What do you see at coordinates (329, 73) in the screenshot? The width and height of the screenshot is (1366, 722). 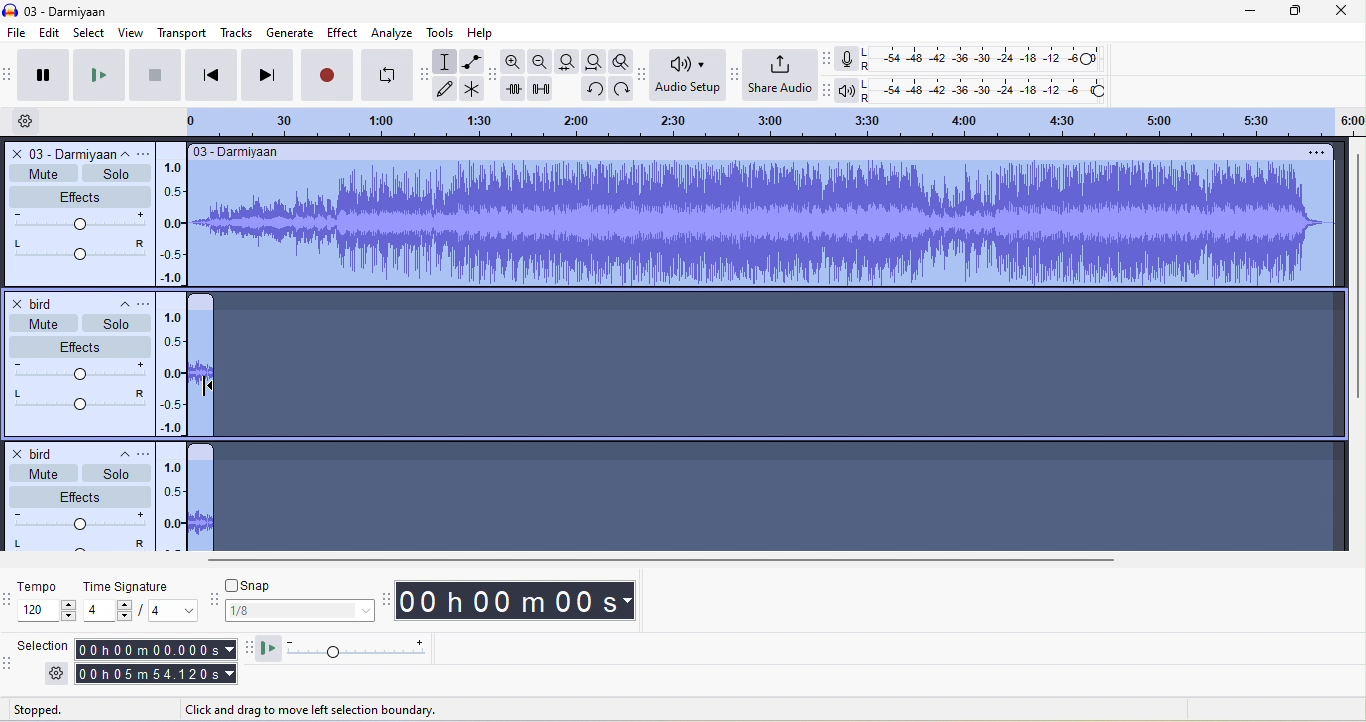 I see `record` at bounding box center [329, 73].